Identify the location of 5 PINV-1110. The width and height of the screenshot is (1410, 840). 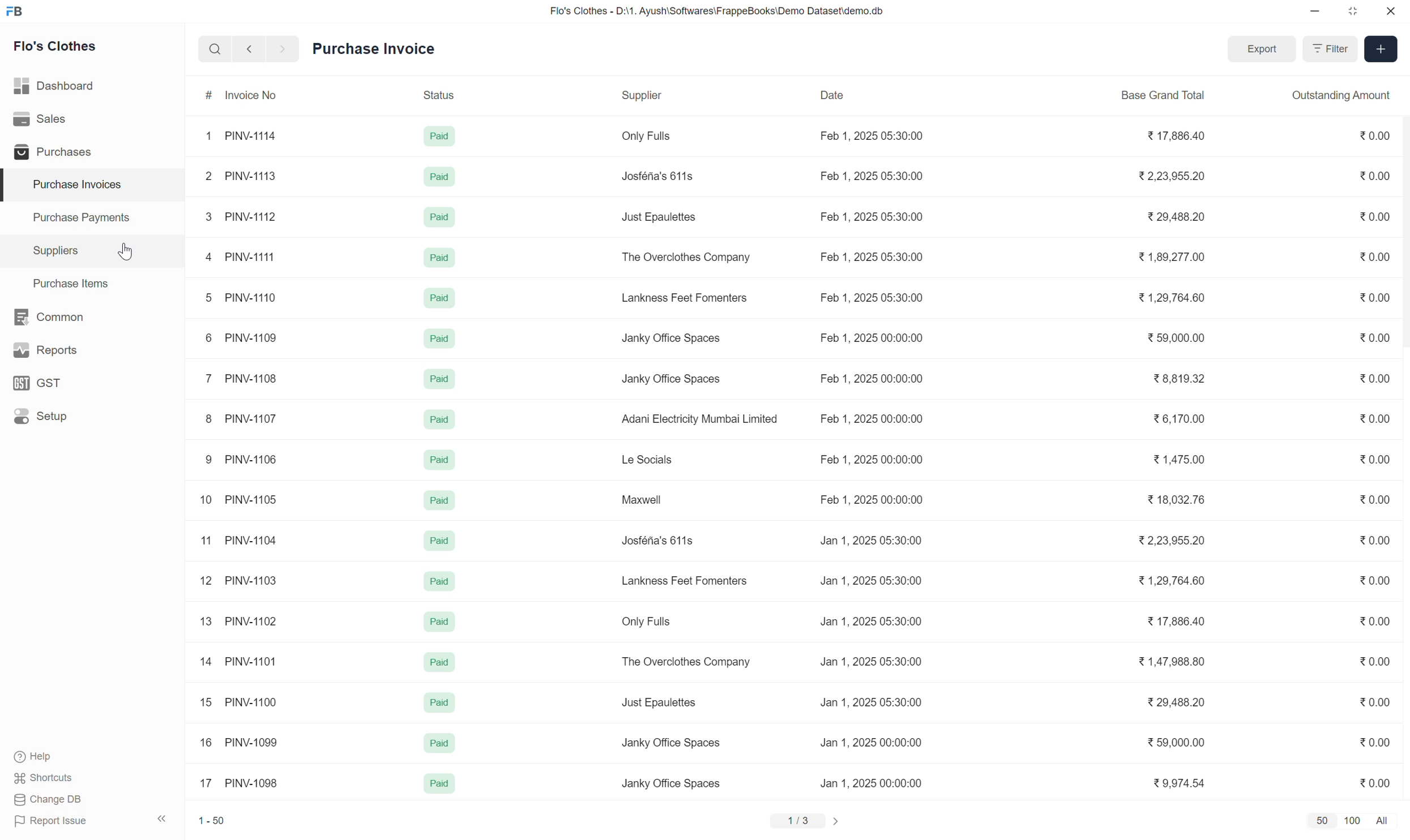
(241, 298).